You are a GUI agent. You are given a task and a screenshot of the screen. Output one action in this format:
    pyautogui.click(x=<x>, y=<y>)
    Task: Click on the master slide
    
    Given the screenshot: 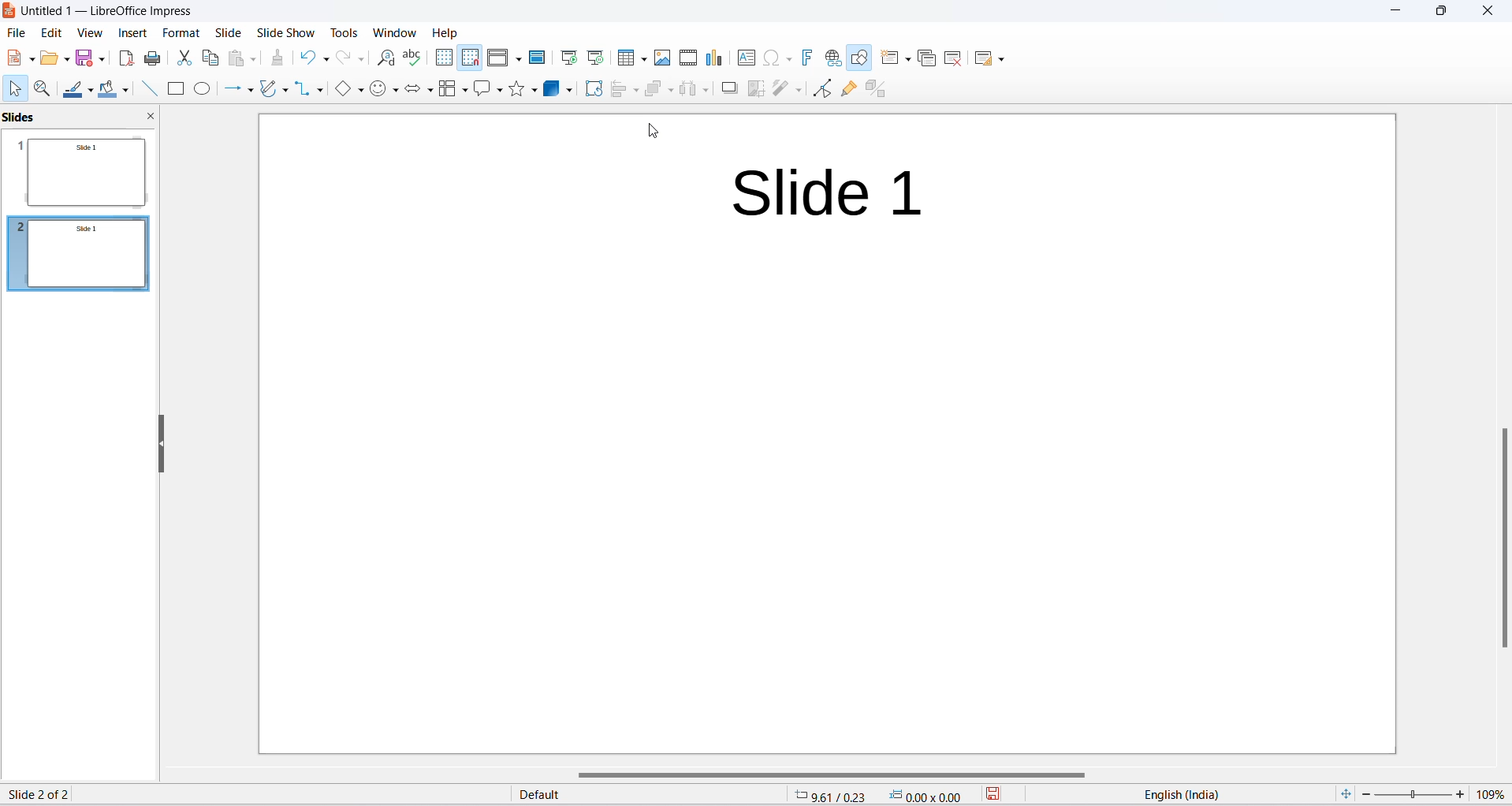 What is the action you would take?
    pyautogui.click(x=538, y=57)
    